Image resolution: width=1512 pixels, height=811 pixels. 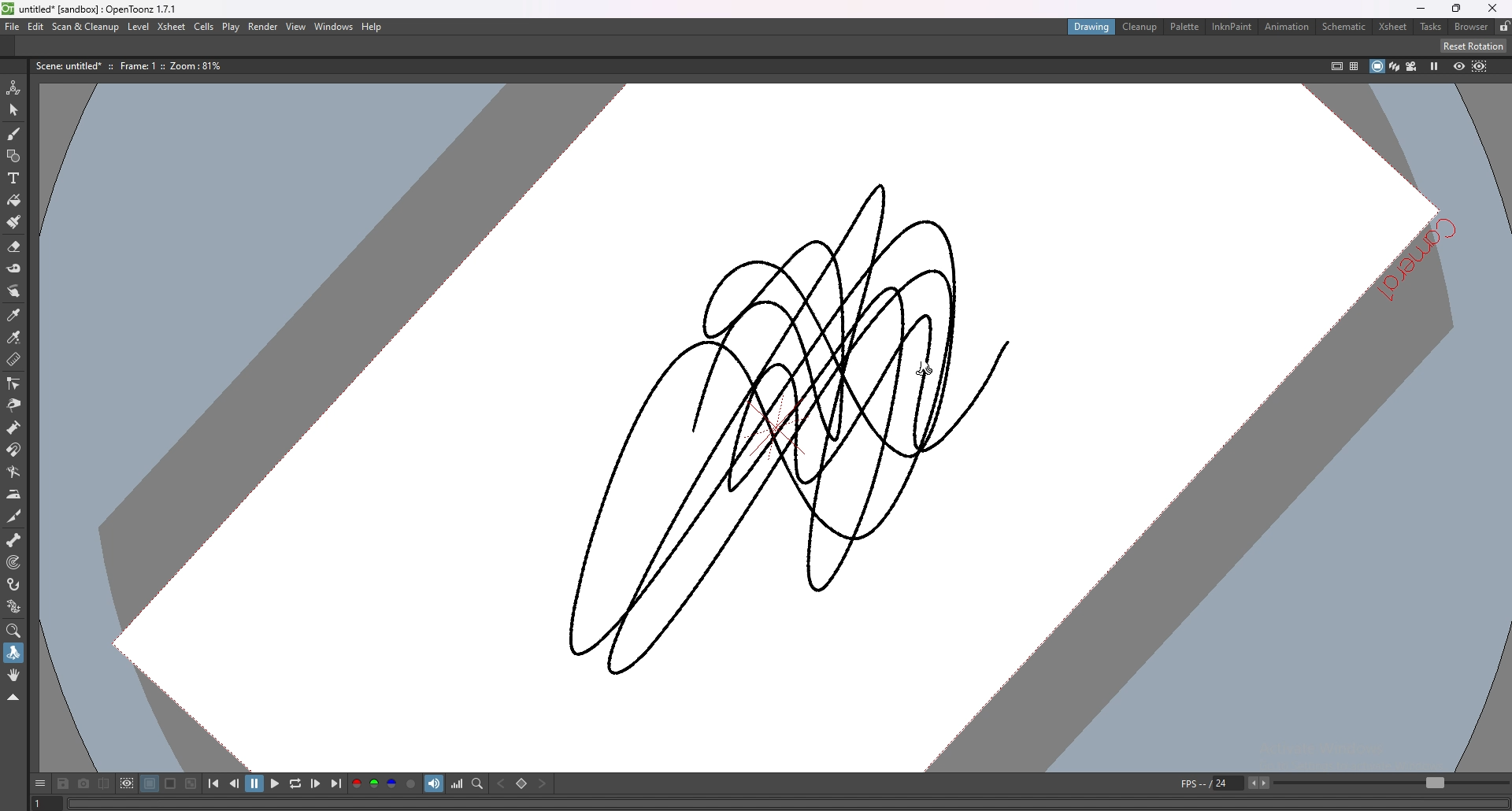 I want to click on preview, so click(x=1459, y=66).